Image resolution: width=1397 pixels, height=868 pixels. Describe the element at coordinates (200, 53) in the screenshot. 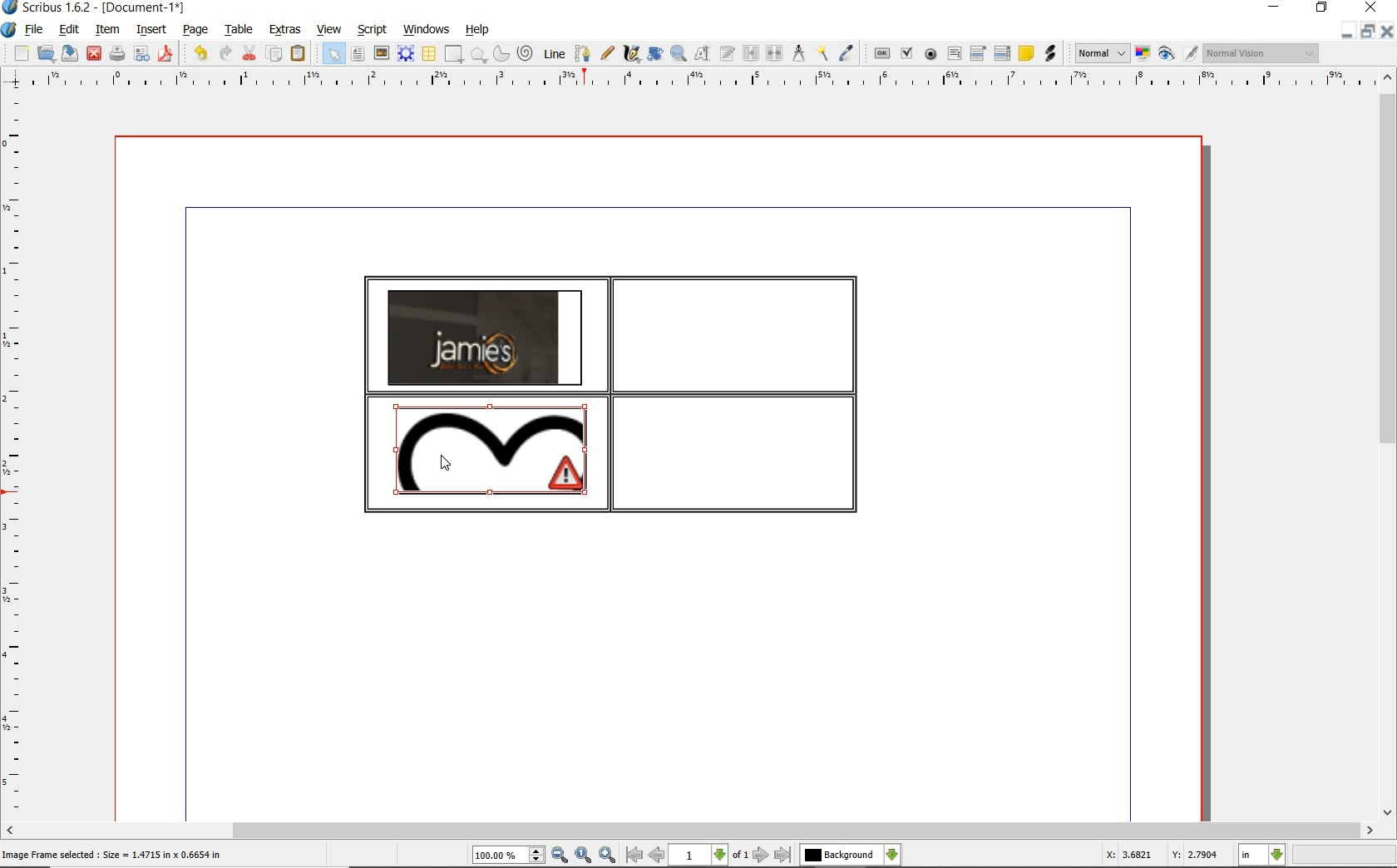

I see `undo` at that location.